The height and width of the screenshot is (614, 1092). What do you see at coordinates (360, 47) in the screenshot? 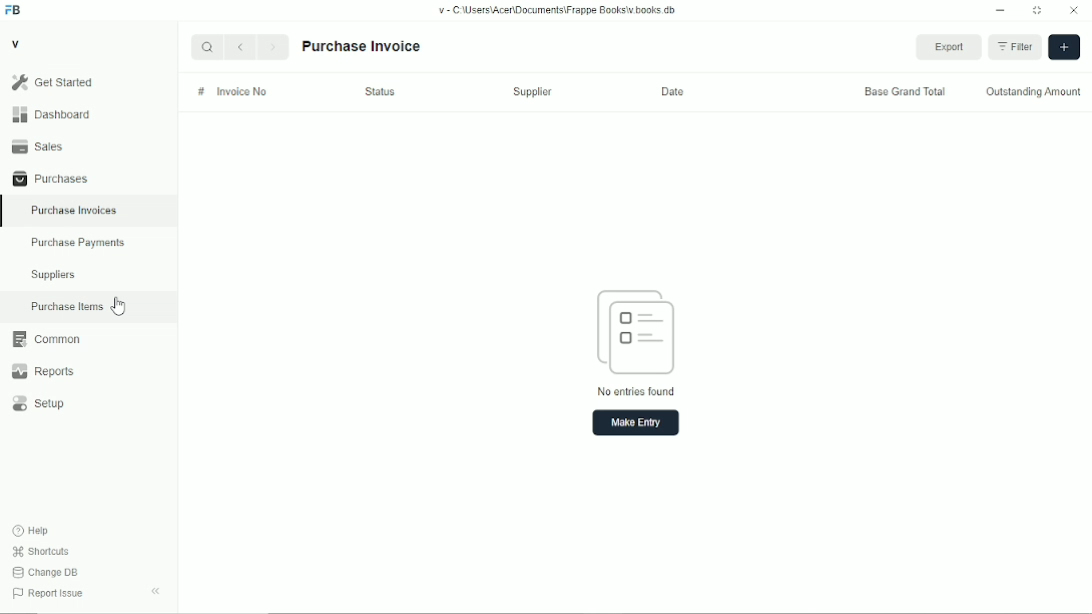
I see `purchase invoice` at bounding box center [360, 47].